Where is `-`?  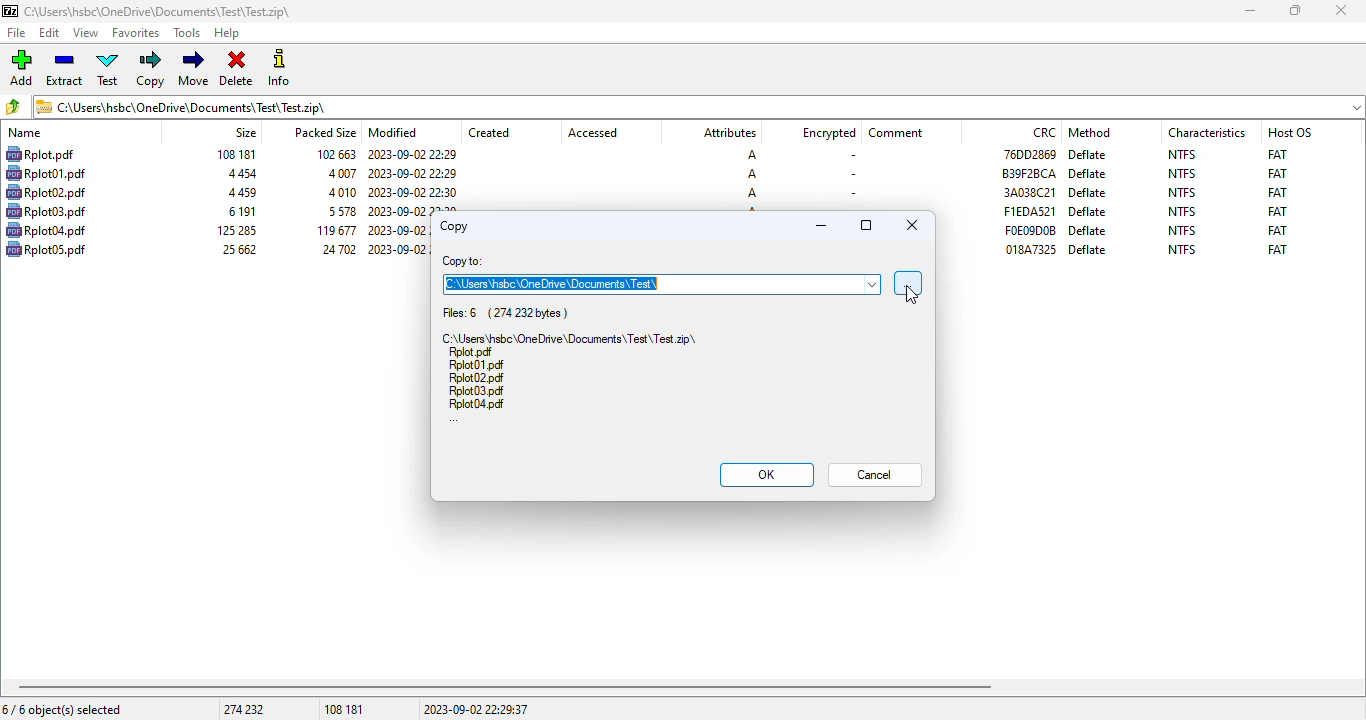 - is located at coordinates (850, 156).